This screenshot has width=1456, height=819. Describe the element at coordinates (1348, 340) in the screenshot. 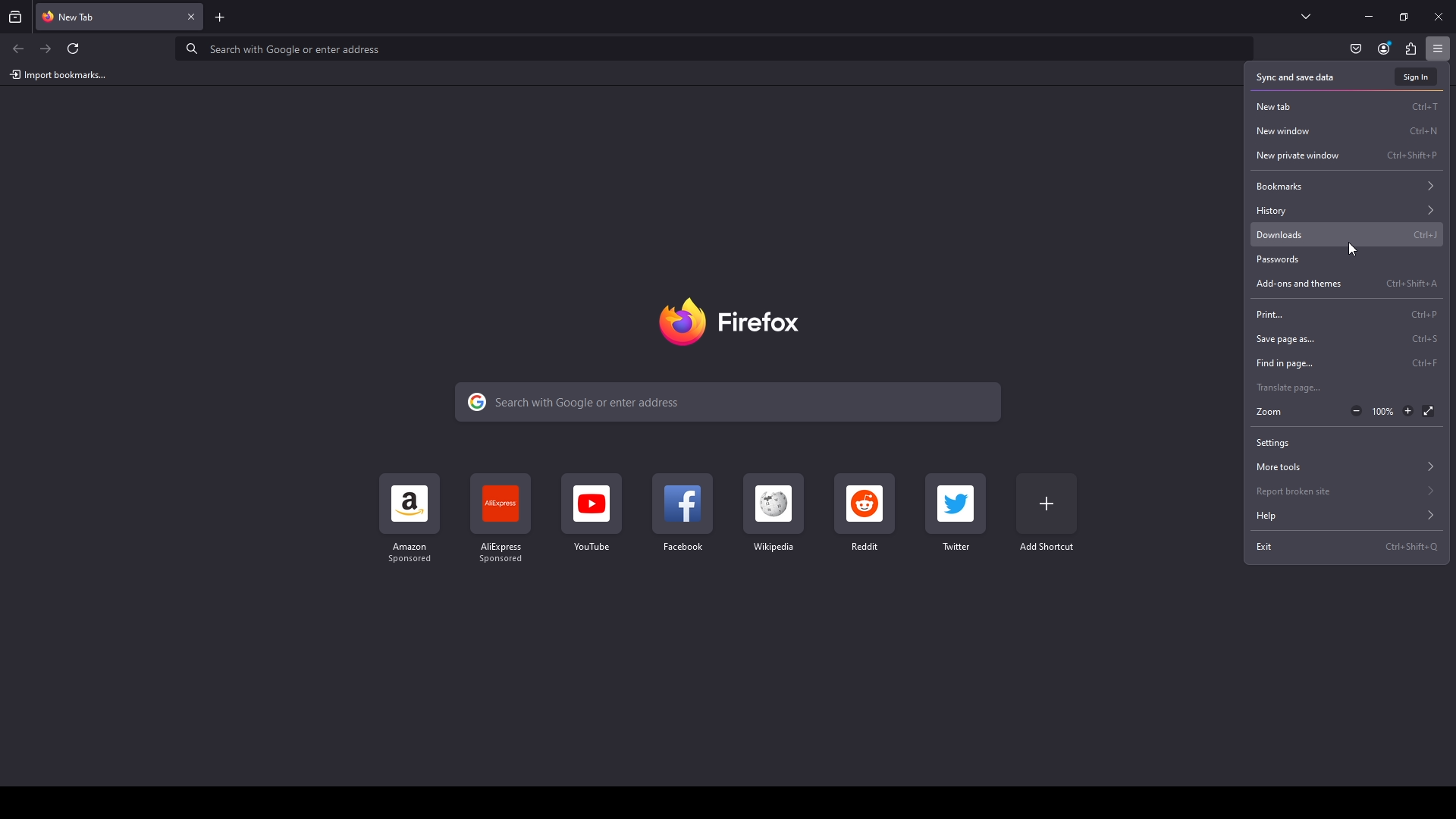

I see `Save page as` at that location.